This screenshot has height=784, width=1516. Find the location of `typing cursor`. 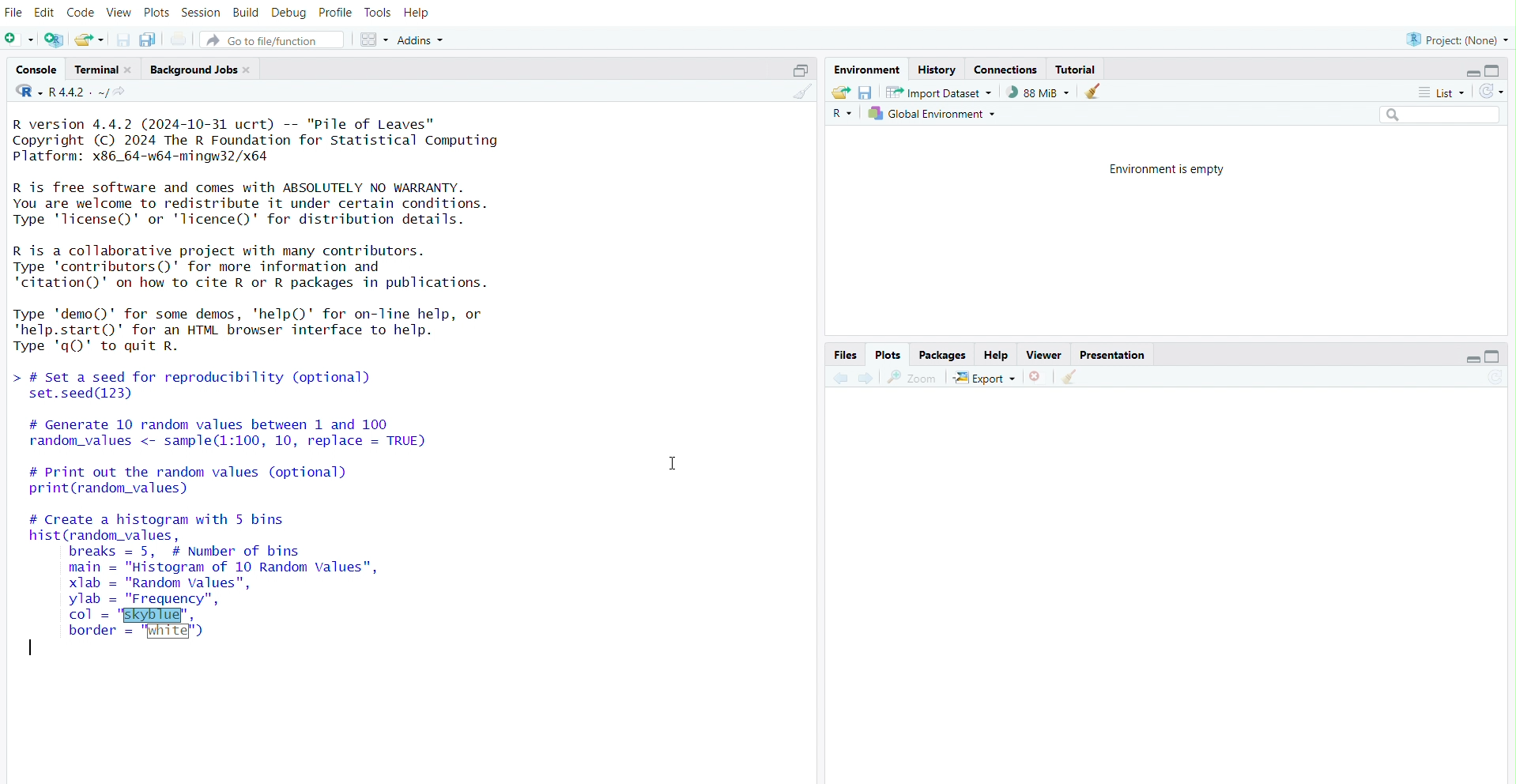

typing cursor is located at coordinates (27, 650).